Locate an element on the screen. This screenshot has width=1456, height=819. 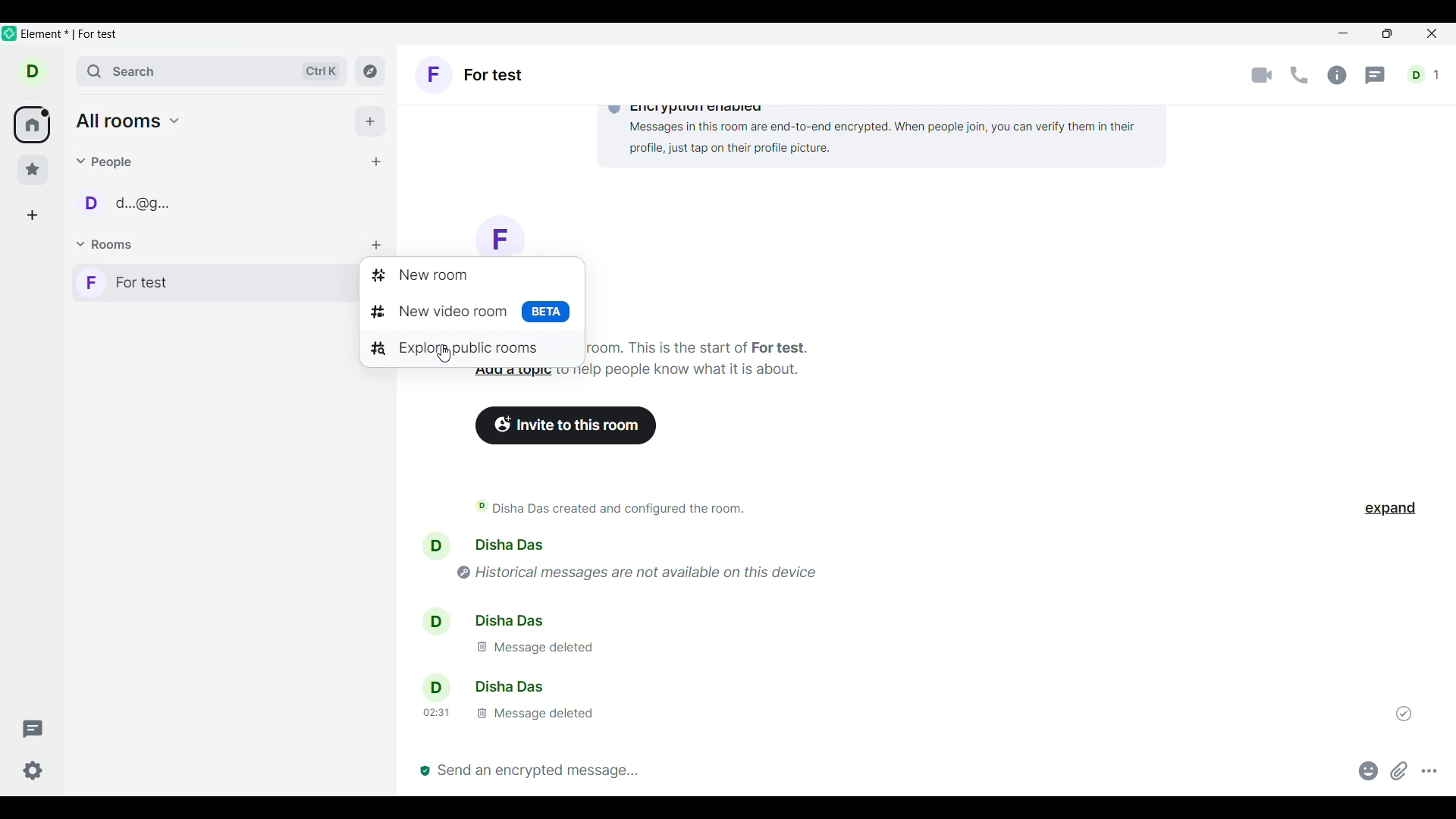
number of people in the room is located at coordinates (1423, 74).